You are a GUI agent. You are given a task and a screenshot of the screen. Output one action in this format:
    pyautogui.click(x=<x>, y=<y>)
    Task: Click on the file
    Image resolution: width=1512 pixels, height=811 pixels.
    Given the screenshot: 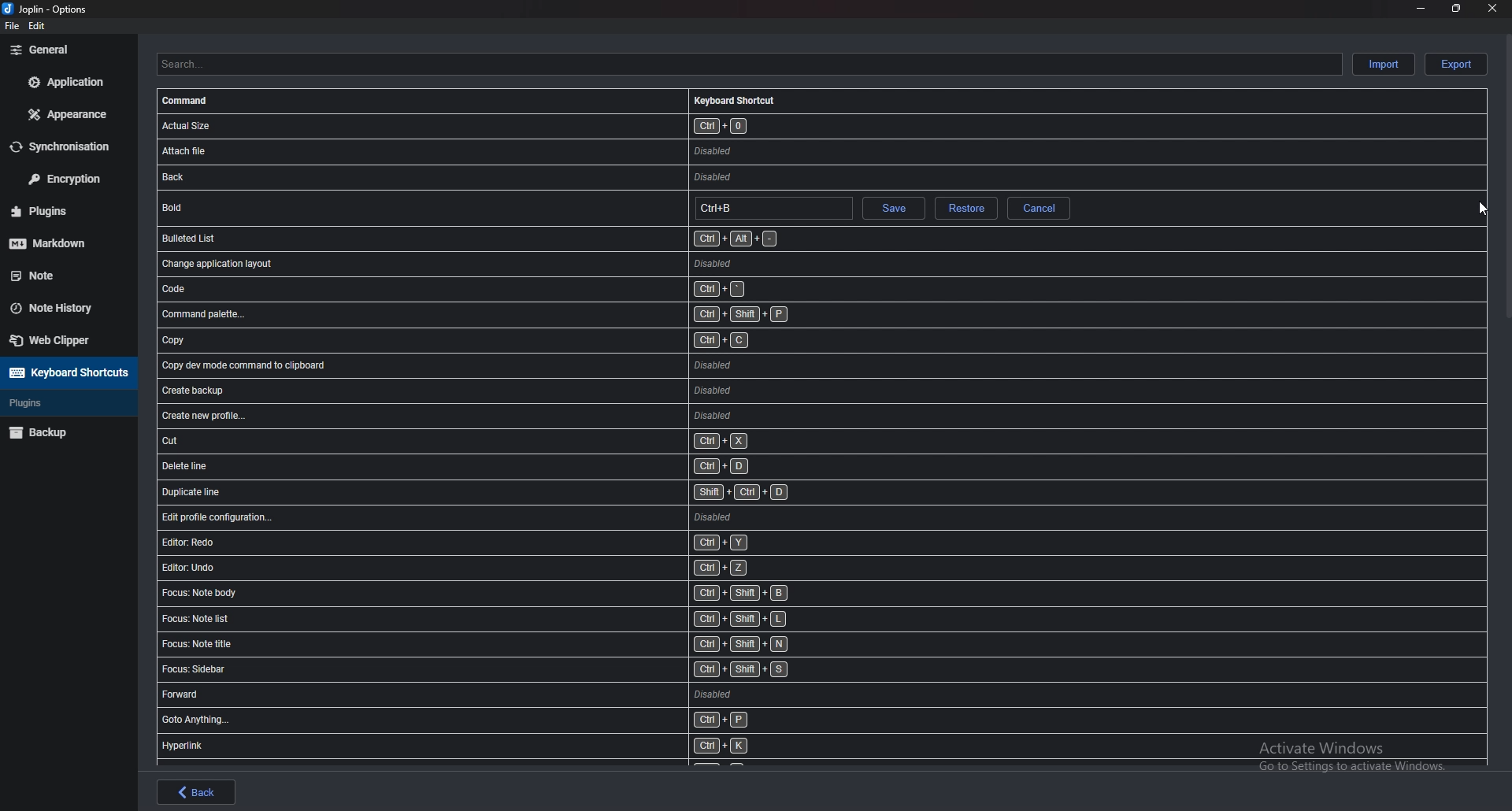 What is the action you would take?
    pyautogui.click(x=12, y=28)
    